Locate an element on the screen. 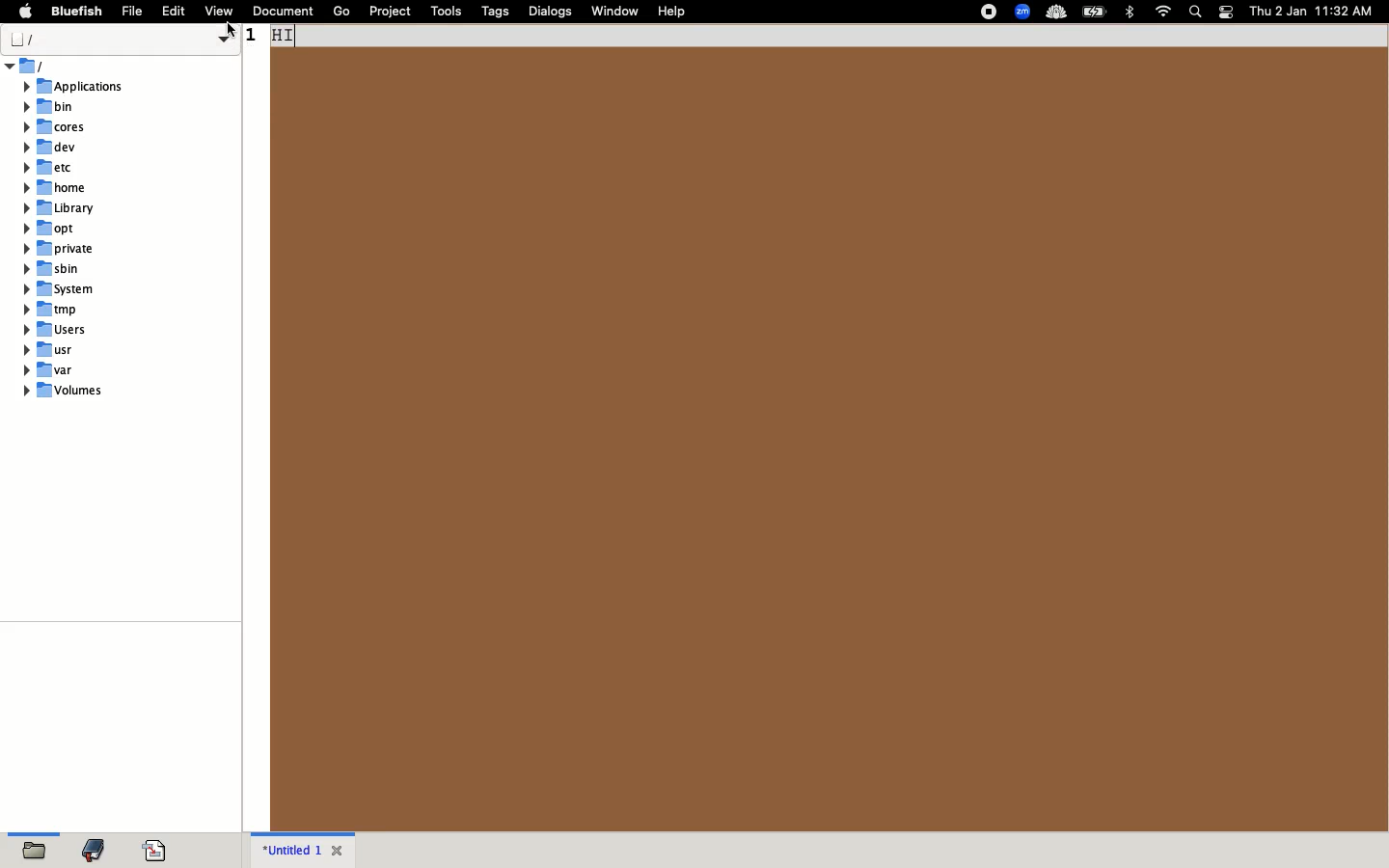 Image resolution: width=1389 pixels, height=868 pixels. tools is located at coordinates (446, 12).